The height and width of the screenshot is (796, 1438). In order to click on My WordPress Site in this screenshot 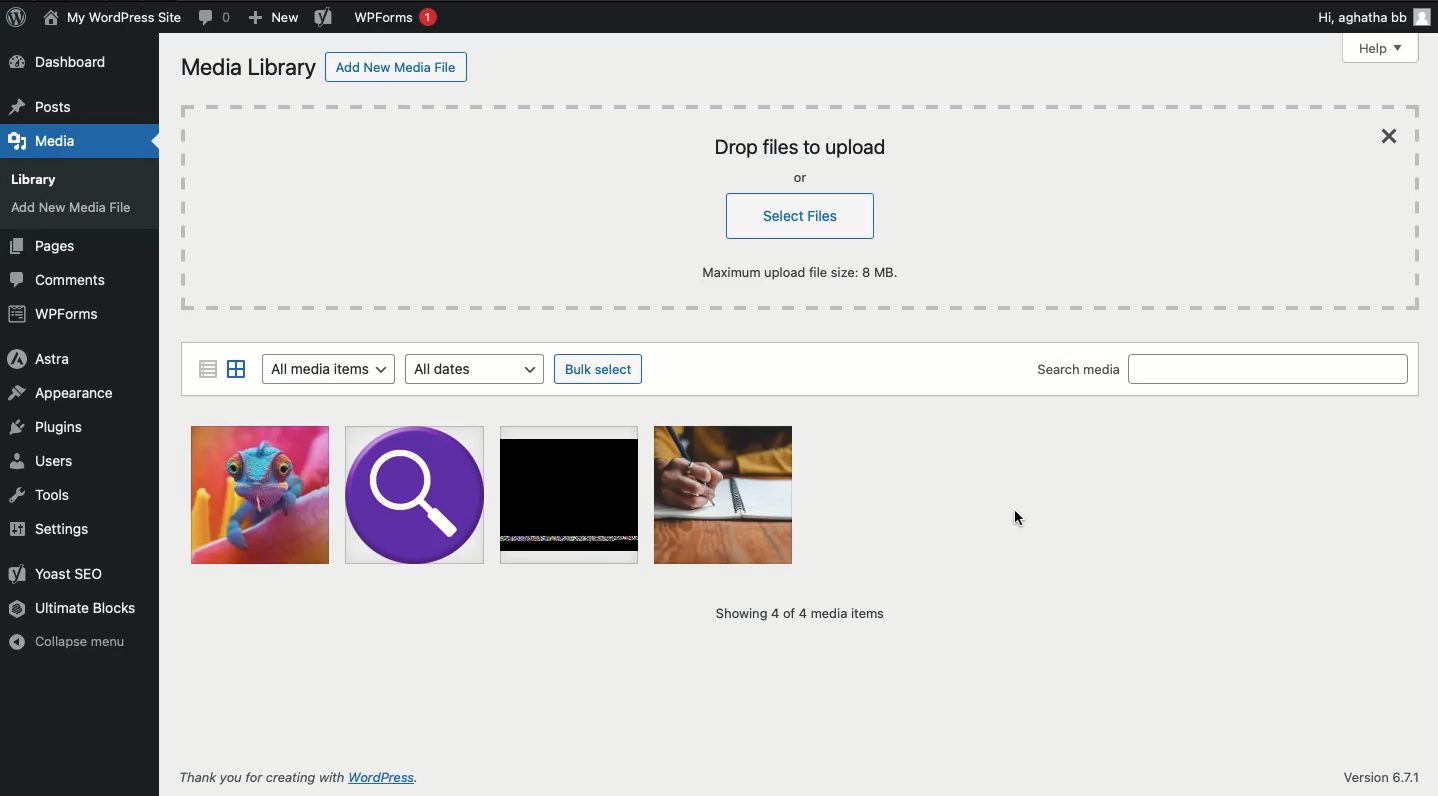, I will do `click(112, 19)`.